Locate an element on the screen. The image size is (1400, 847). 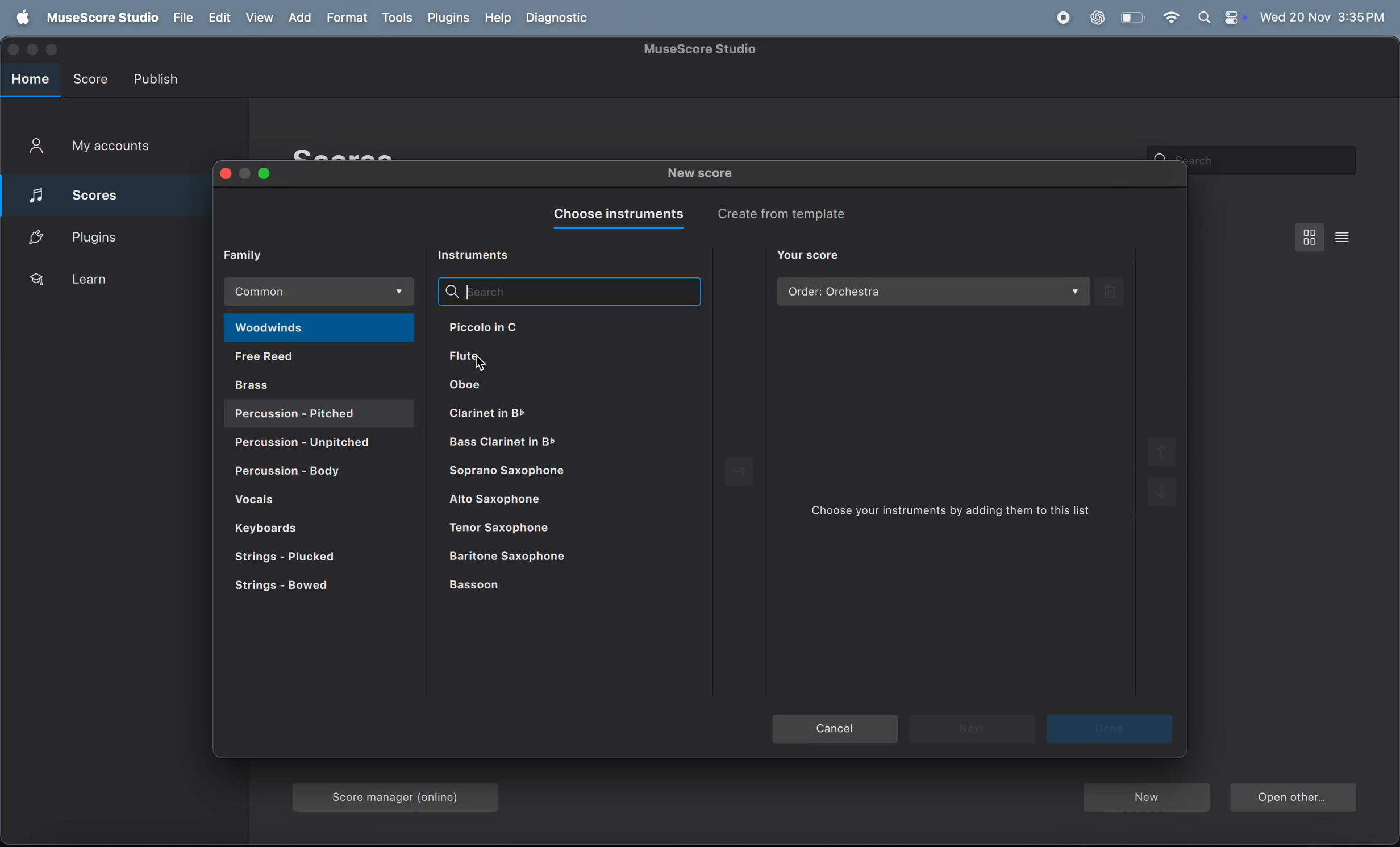
apple menu is located at coordinates (19, 18).